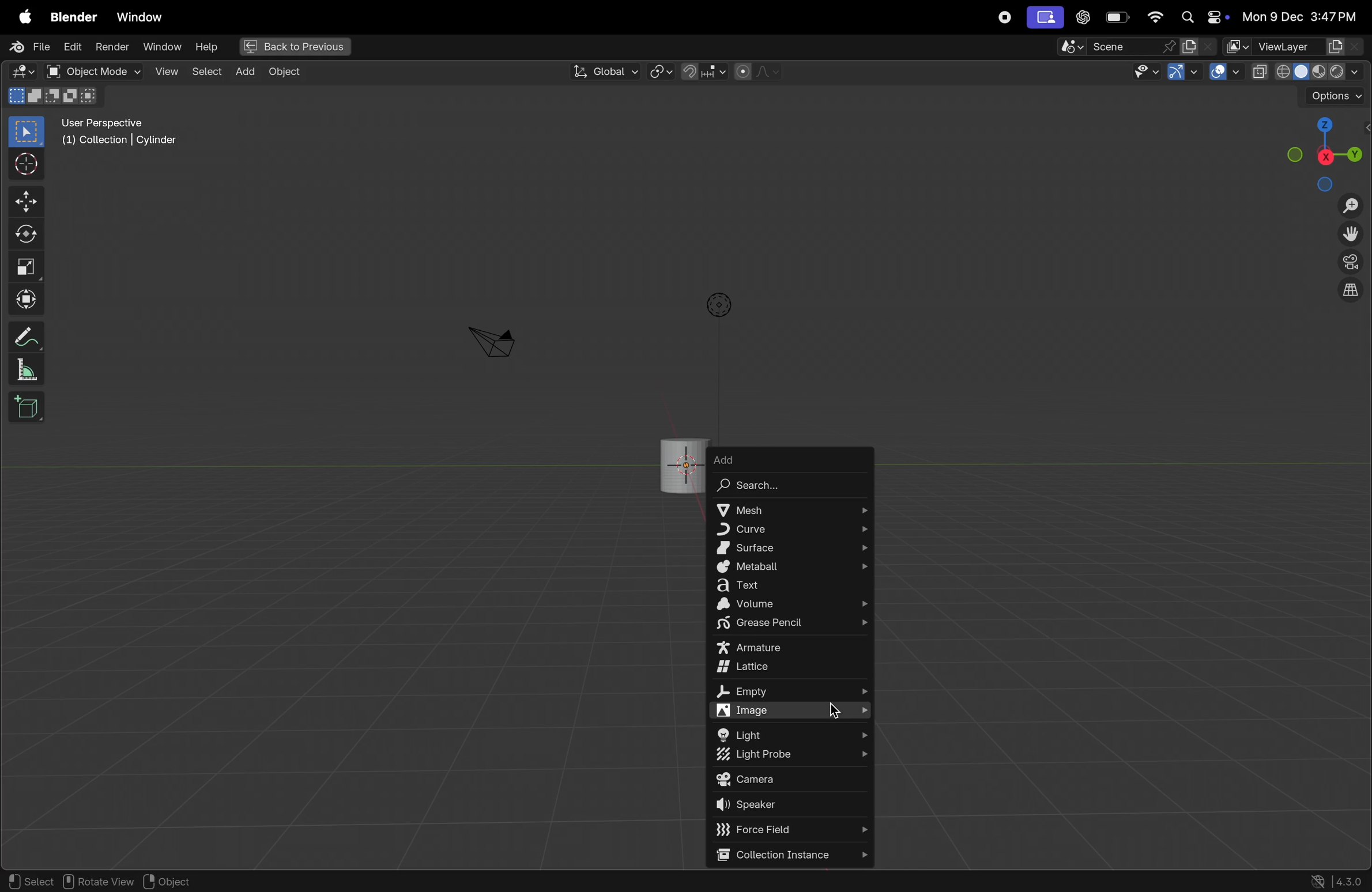 The height and width of the screenshot is (892, 1372). What do you see at coordinates (793, 668) in the screenshot?
I see `lattice` at bounding box center [793, 668].